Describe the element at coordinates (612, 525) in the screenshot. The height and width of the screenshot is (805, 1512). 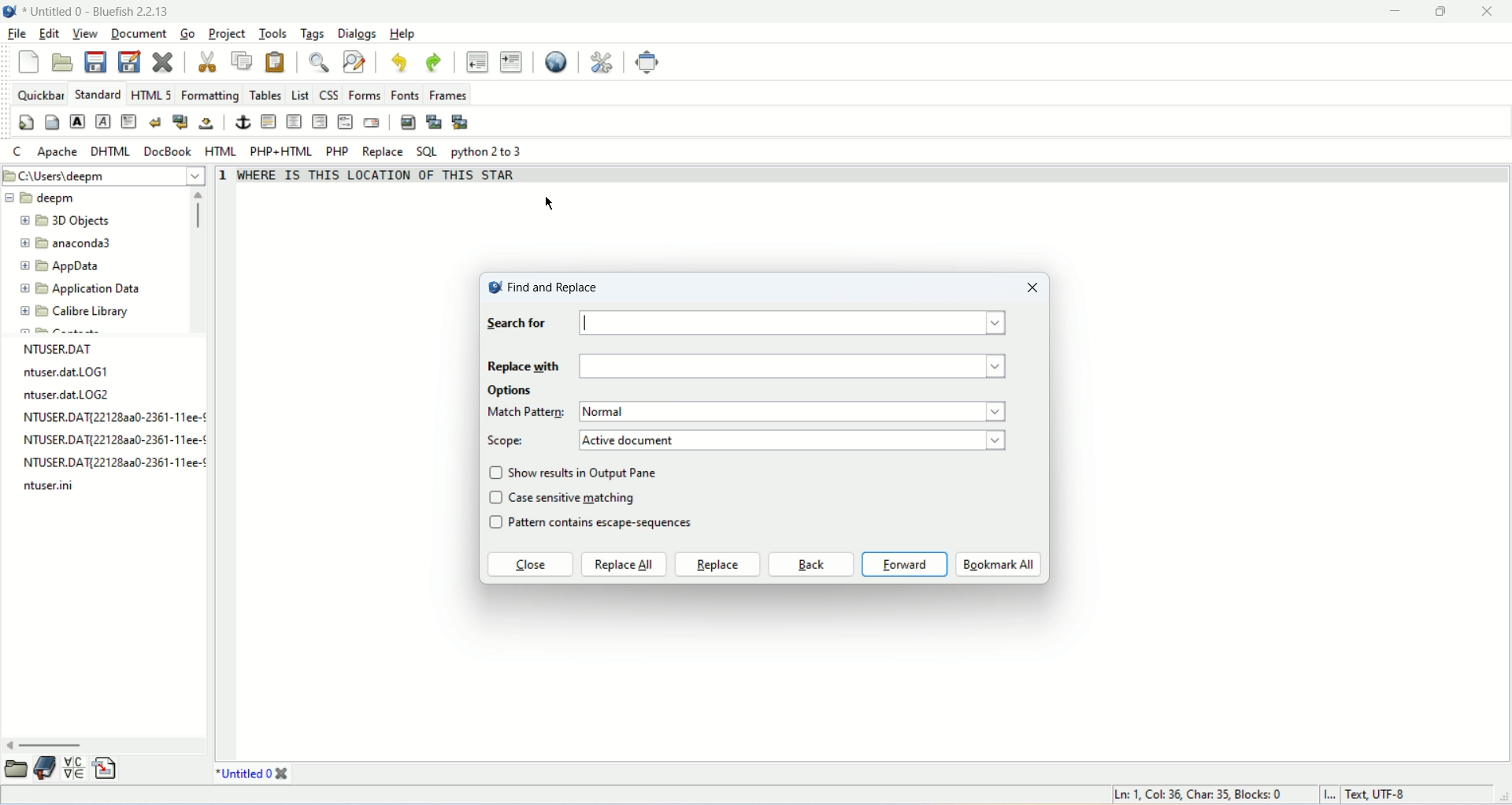
I see `pattern contains escape sequences` at that location.